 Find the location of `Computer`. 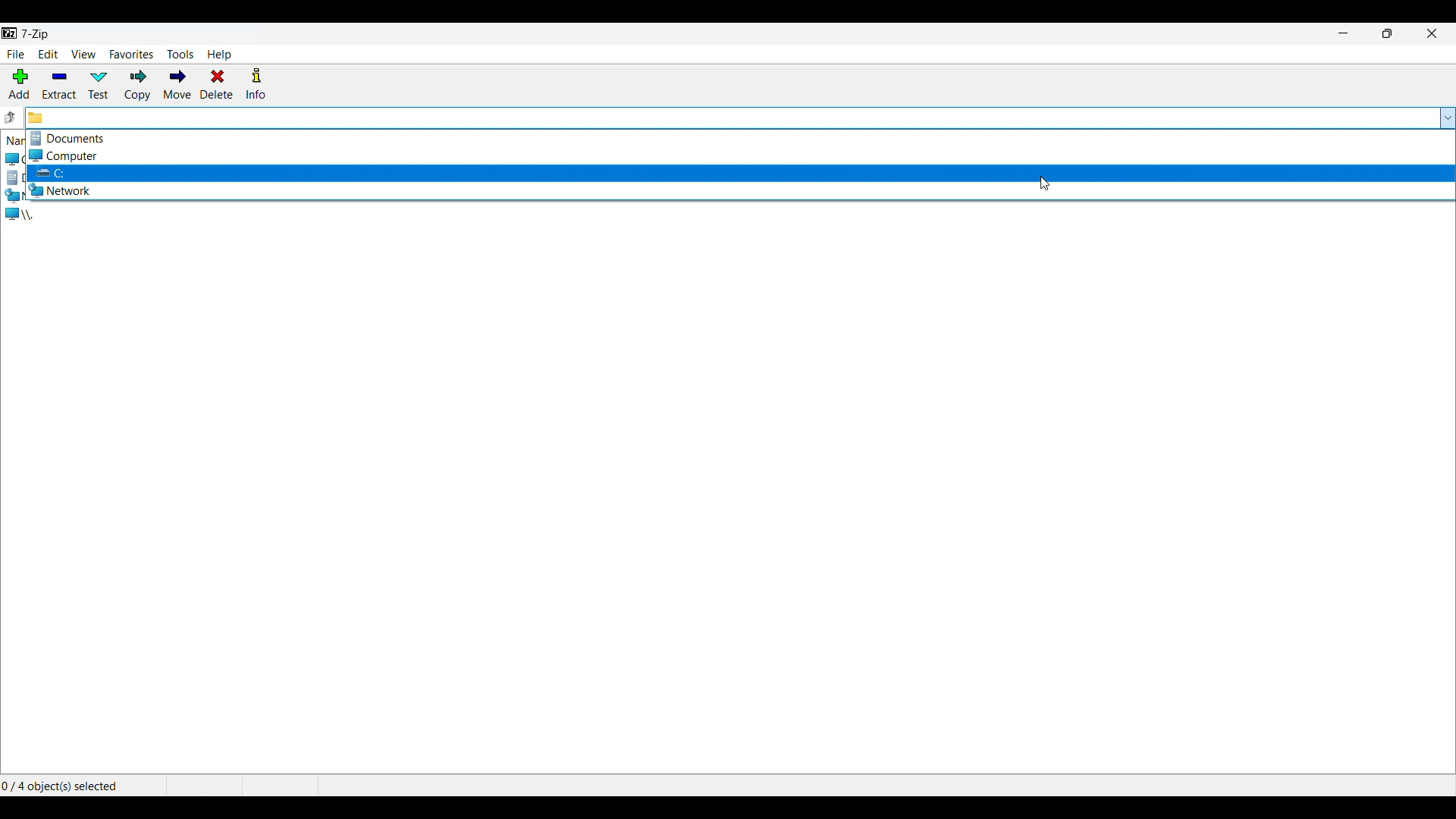

Computer is located at coordinates (738, 155).